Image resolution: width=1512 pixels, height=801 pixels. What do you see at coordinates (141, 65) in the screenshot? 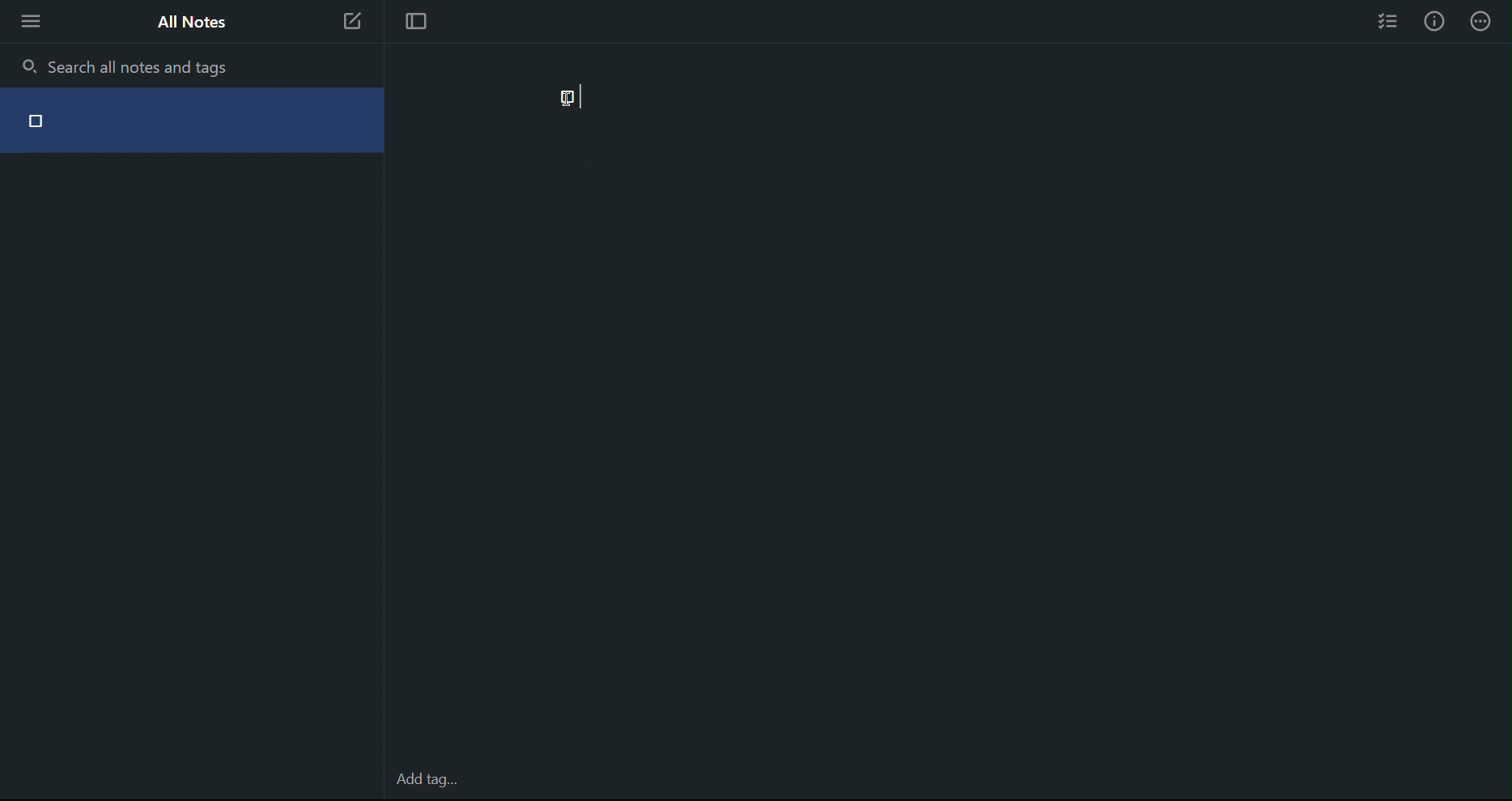
I see `Search all notes and tags` at bounding box center [141, 65].